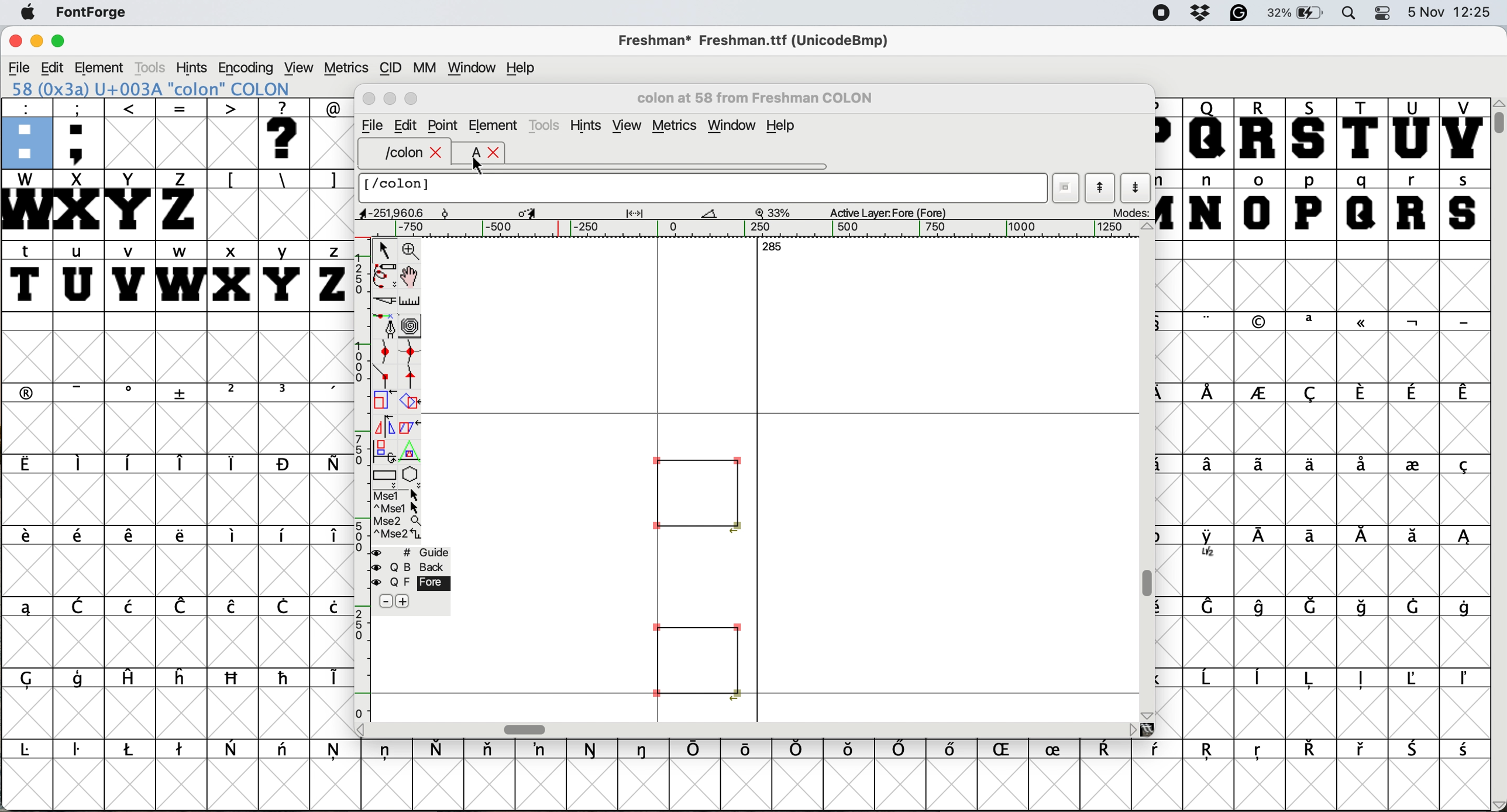  I want to click on x, so click(231, 276).